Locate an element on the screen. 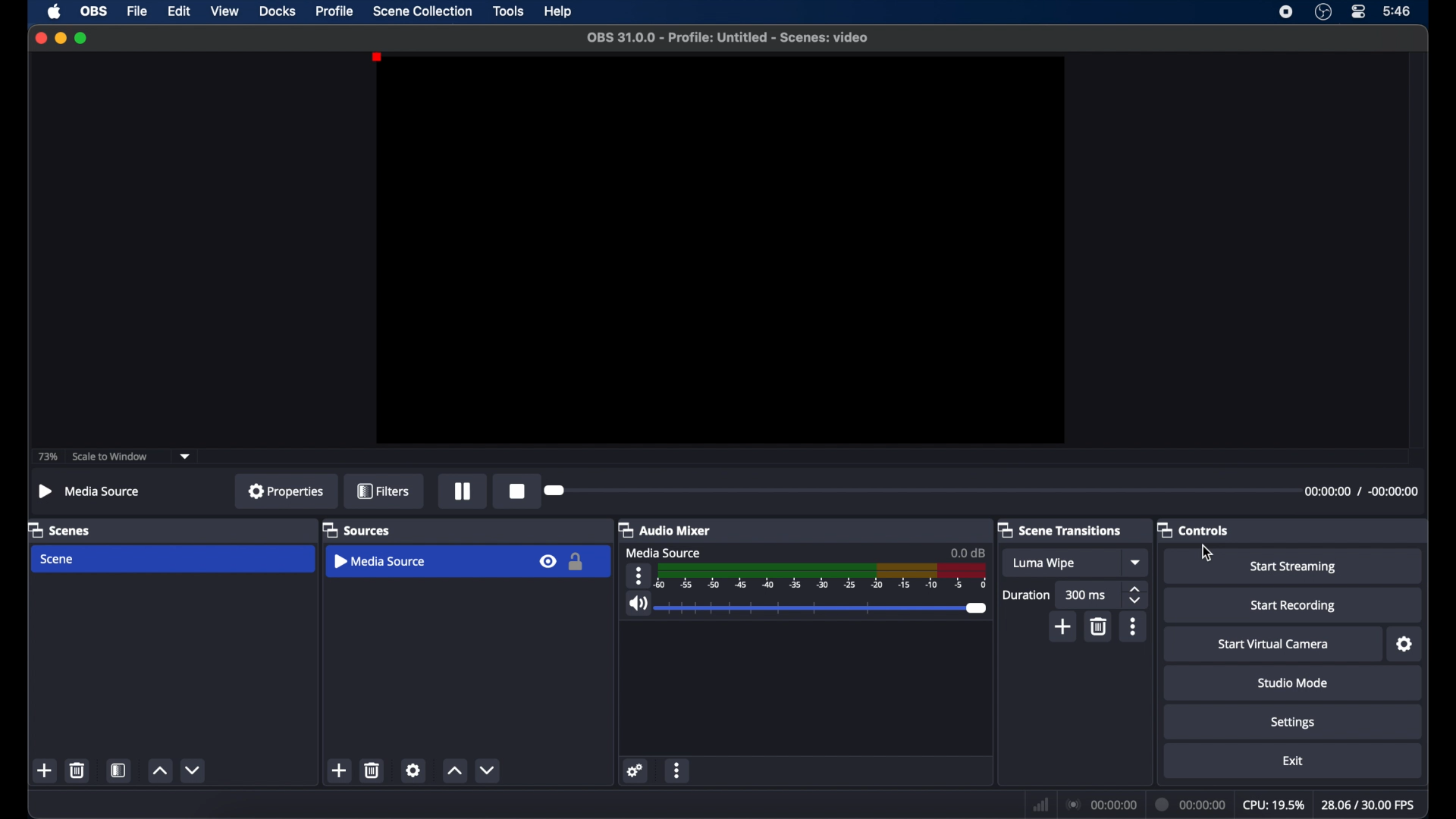 This screenshot has height=819, width=1456. volume is located at coordinates (638, 604).